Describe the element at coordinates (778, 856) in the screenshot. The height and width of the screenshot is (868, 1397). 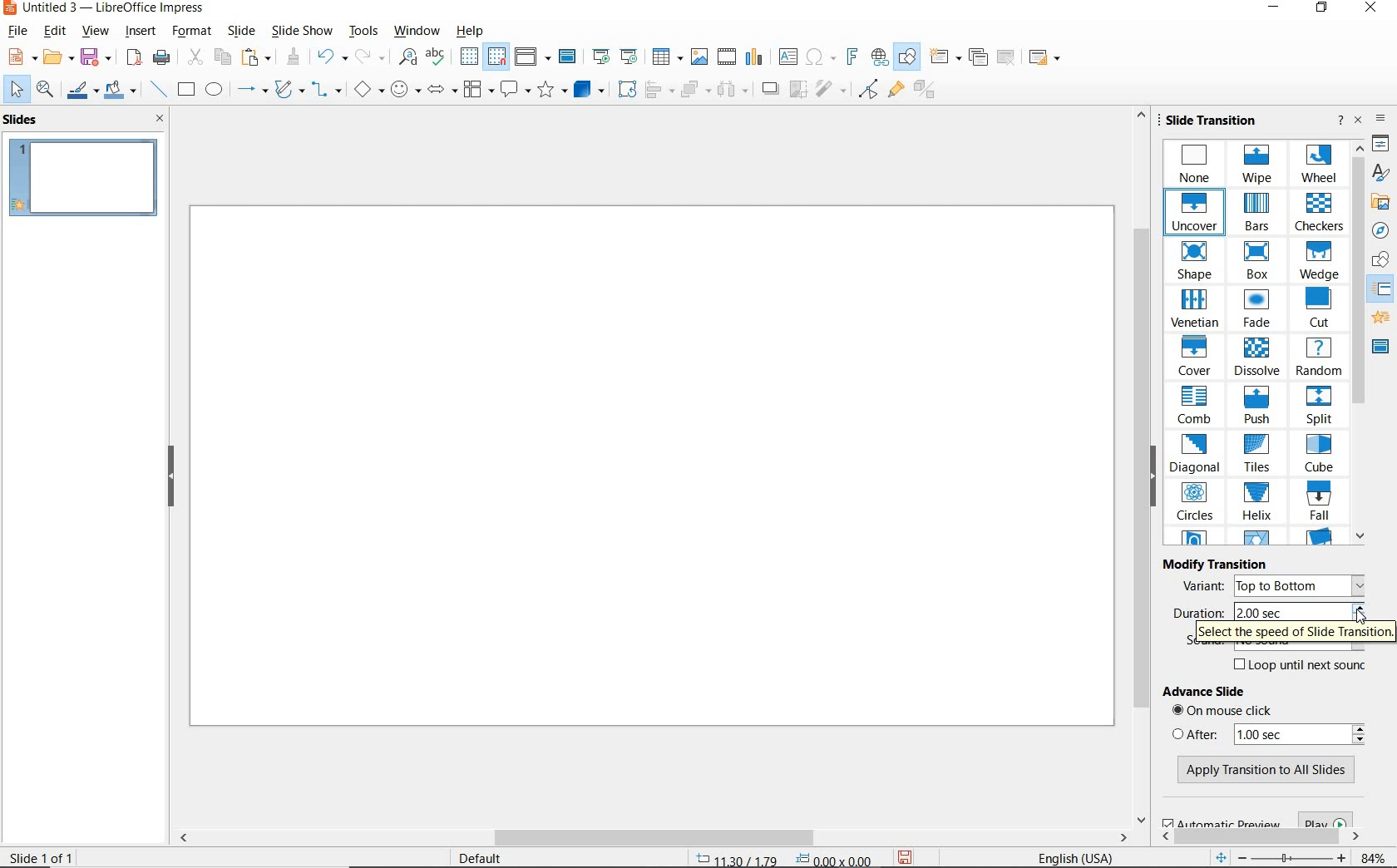
I see `POSITION AND SIZE` at that location.